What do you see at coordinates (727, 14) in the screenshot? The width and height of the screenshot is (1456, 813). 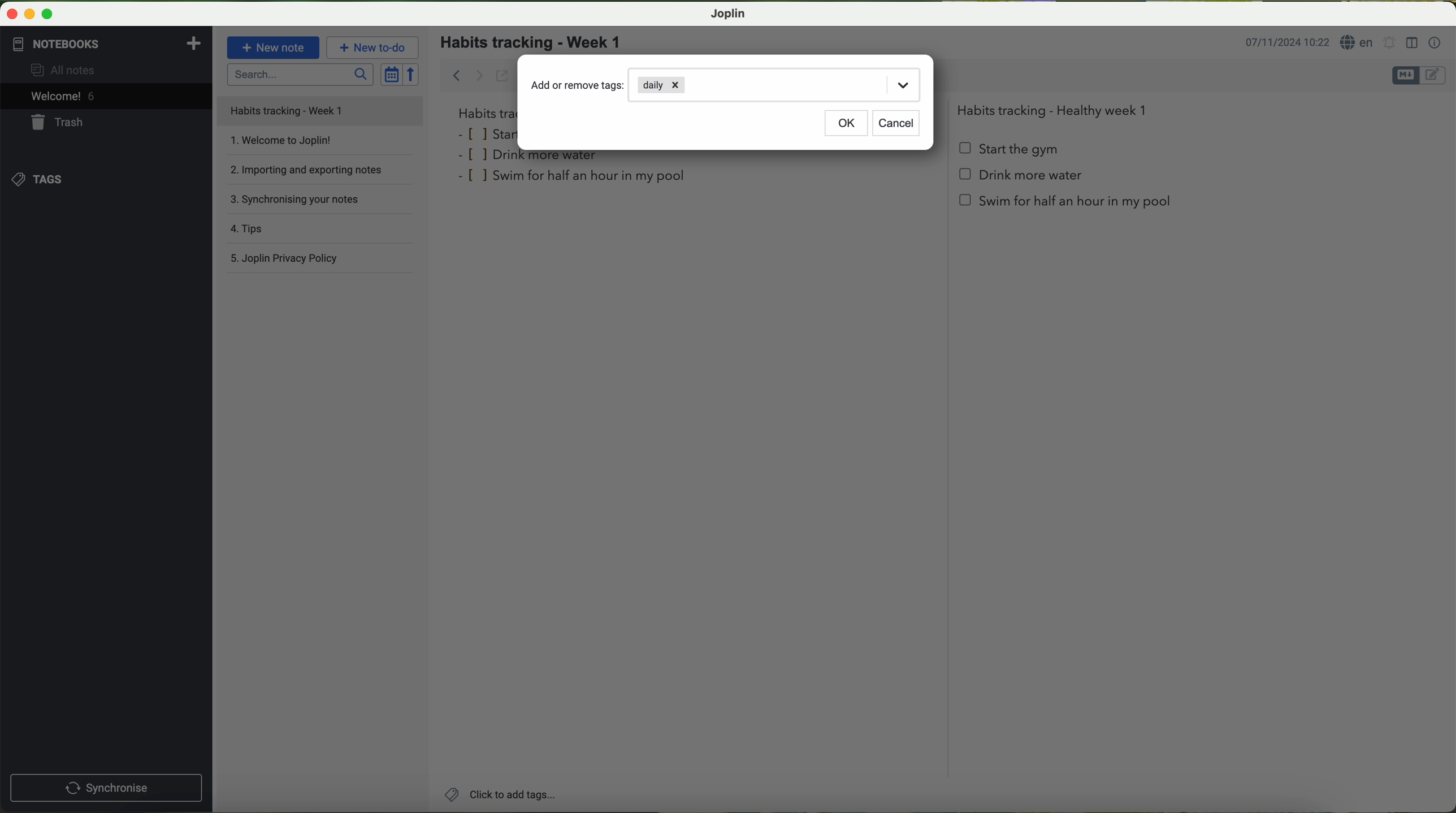 I see `Joplin` at bounding box center [727, 14].